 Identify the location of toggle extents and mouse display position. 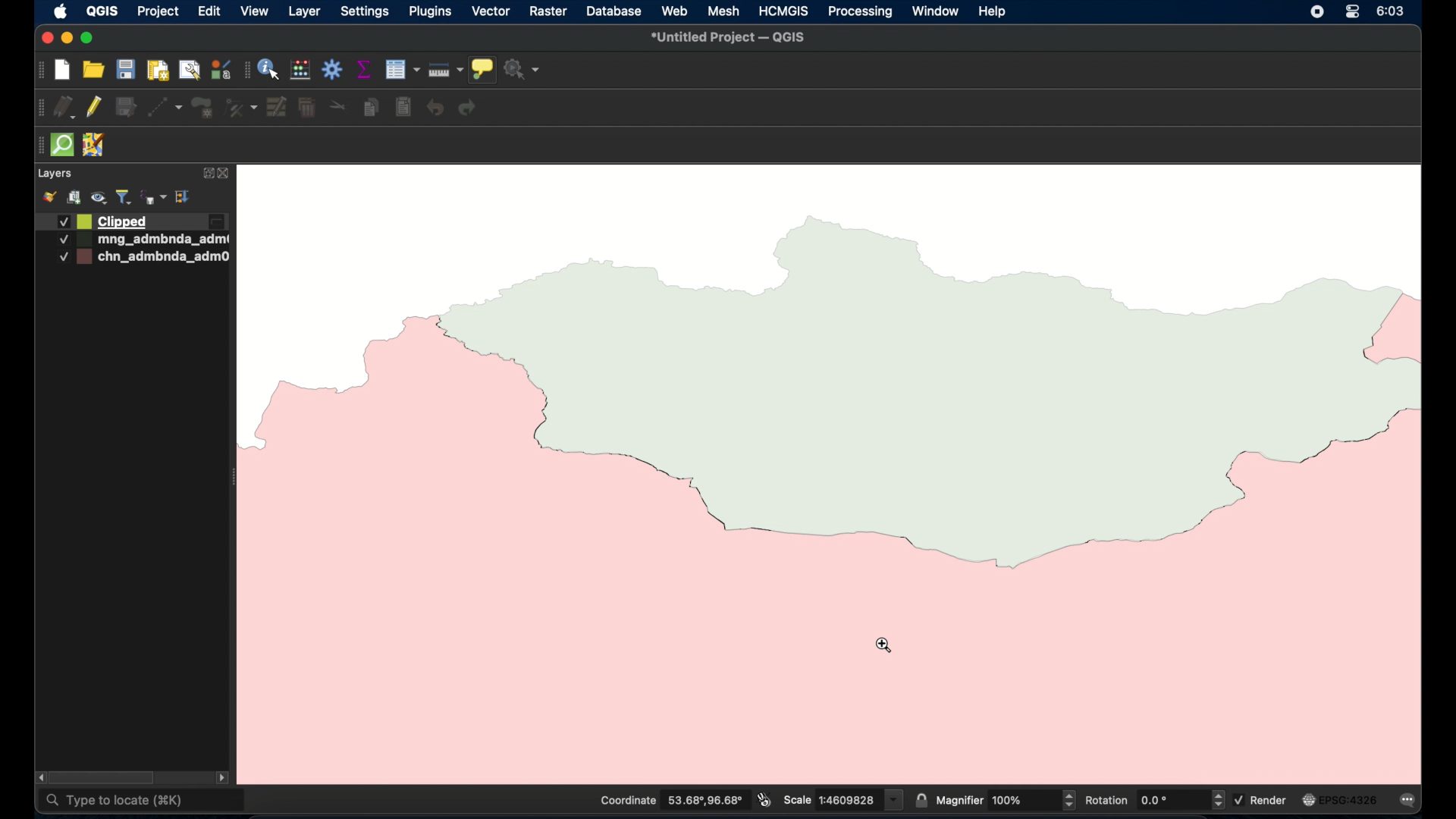
(764, 799).